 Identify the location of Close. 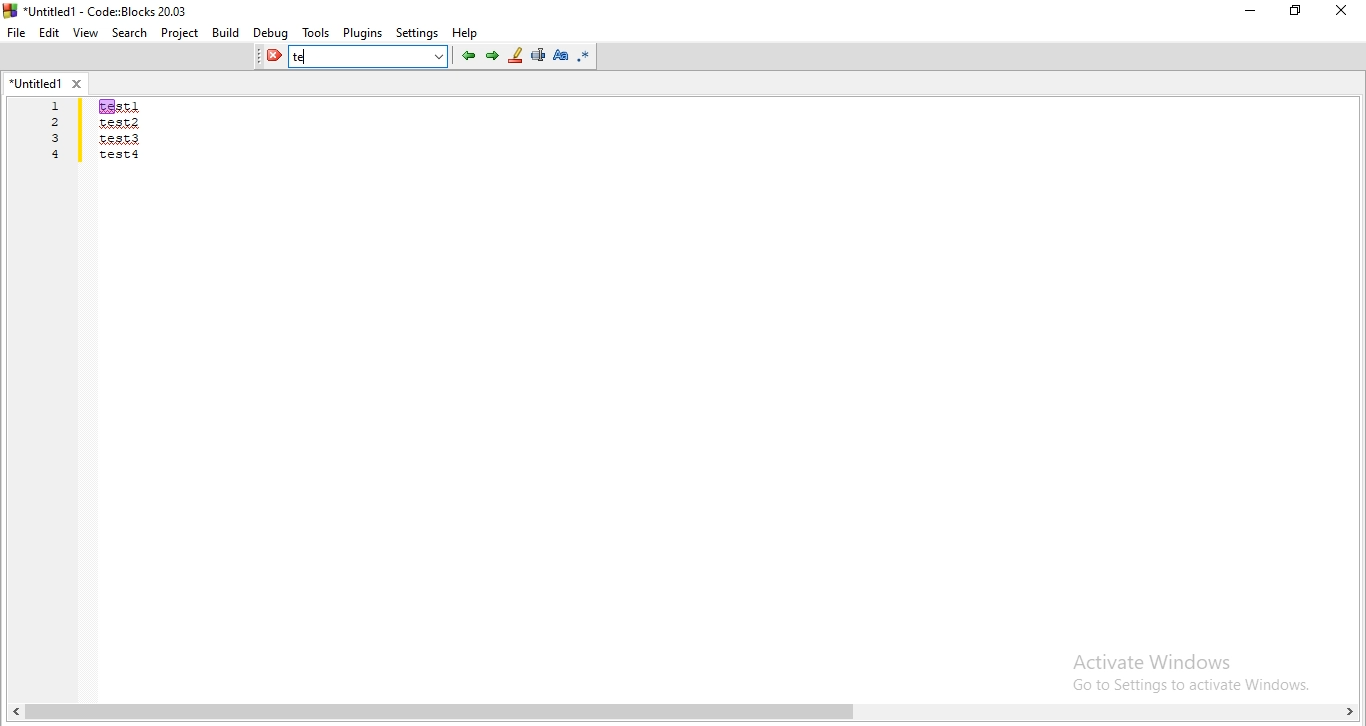
(1343, 12).